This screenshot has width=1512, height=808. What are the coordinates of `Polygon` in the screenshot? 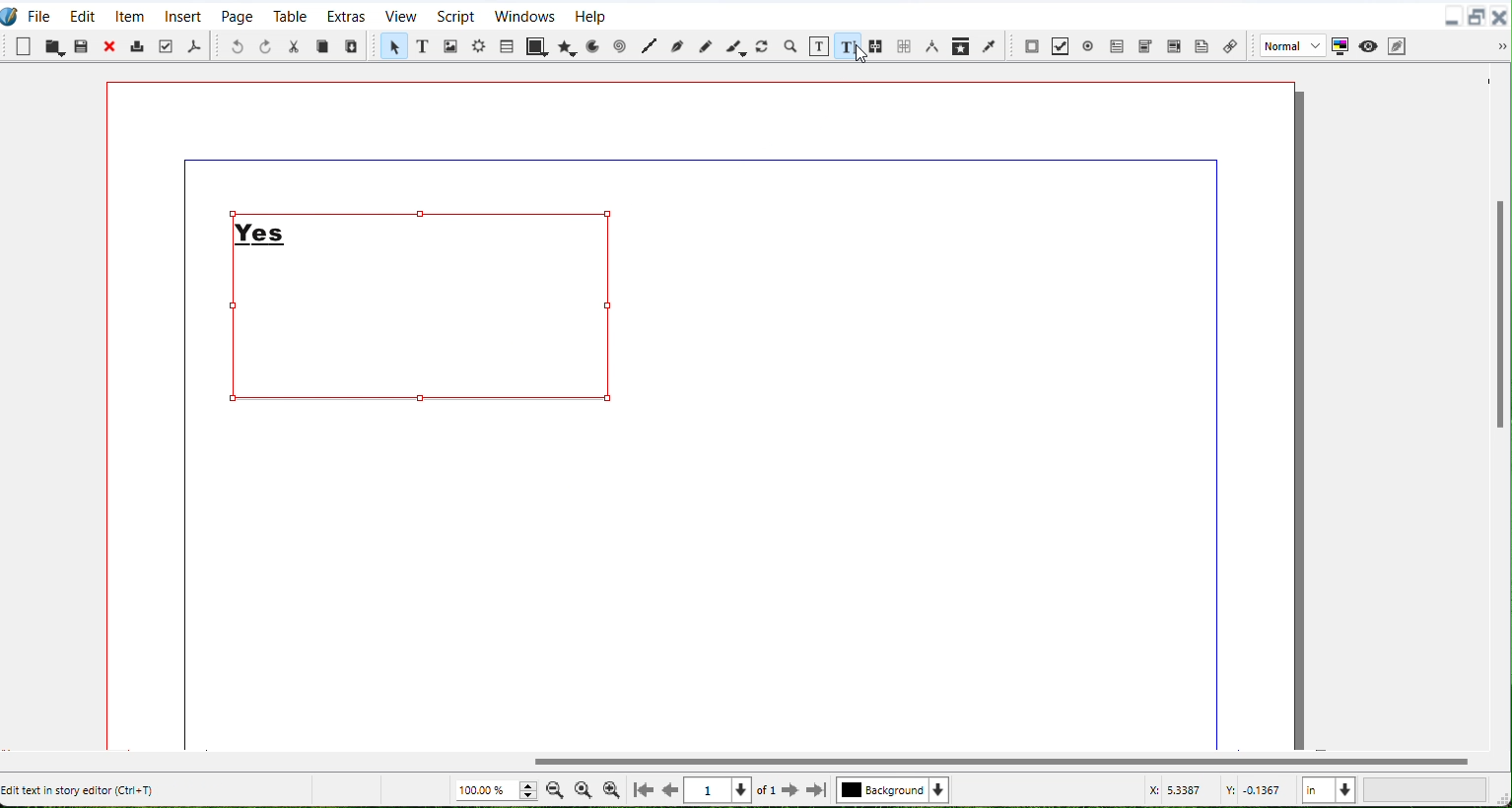 It's located at (566, 46).